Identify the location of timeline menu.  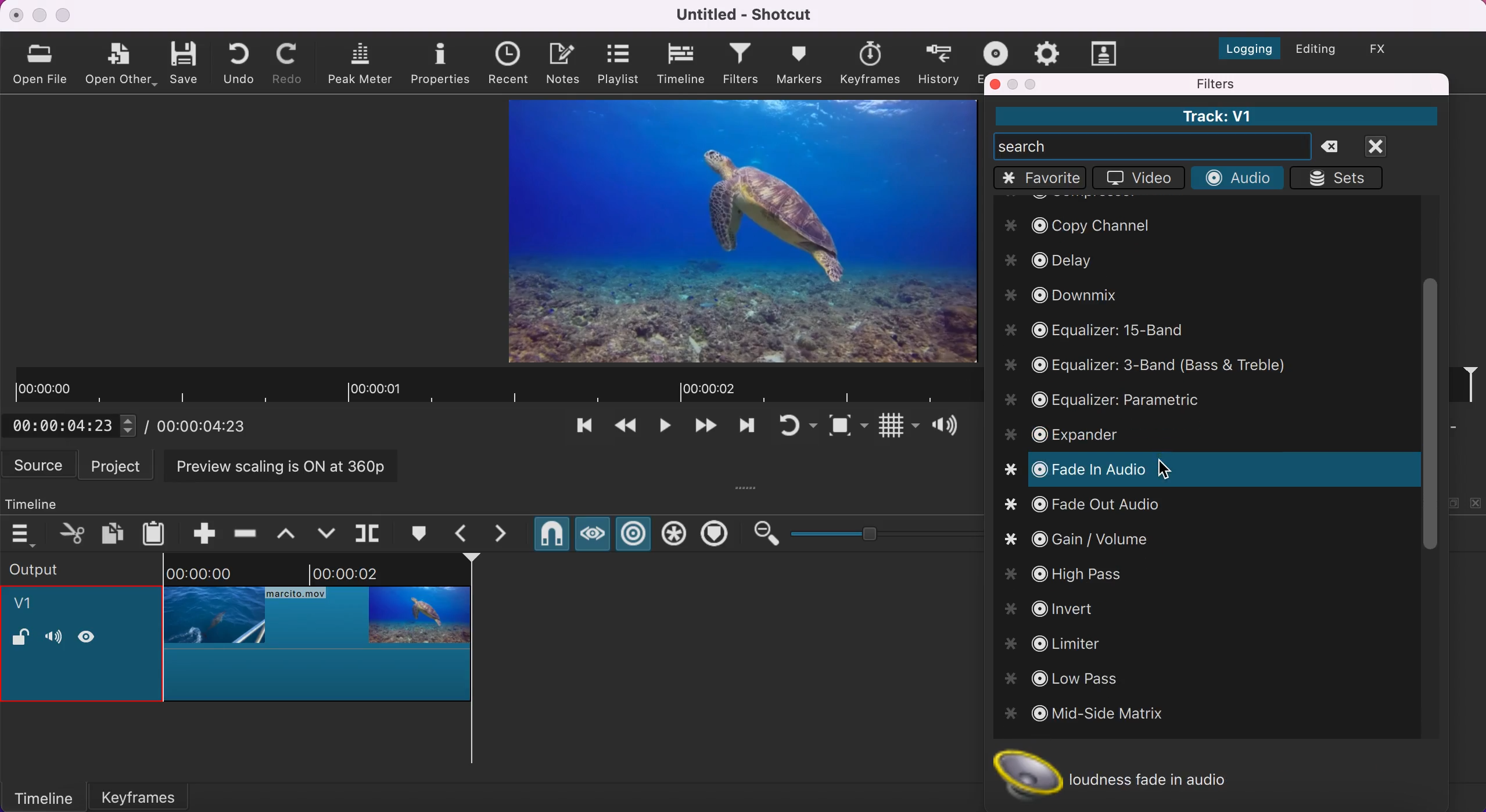
(26, 534).